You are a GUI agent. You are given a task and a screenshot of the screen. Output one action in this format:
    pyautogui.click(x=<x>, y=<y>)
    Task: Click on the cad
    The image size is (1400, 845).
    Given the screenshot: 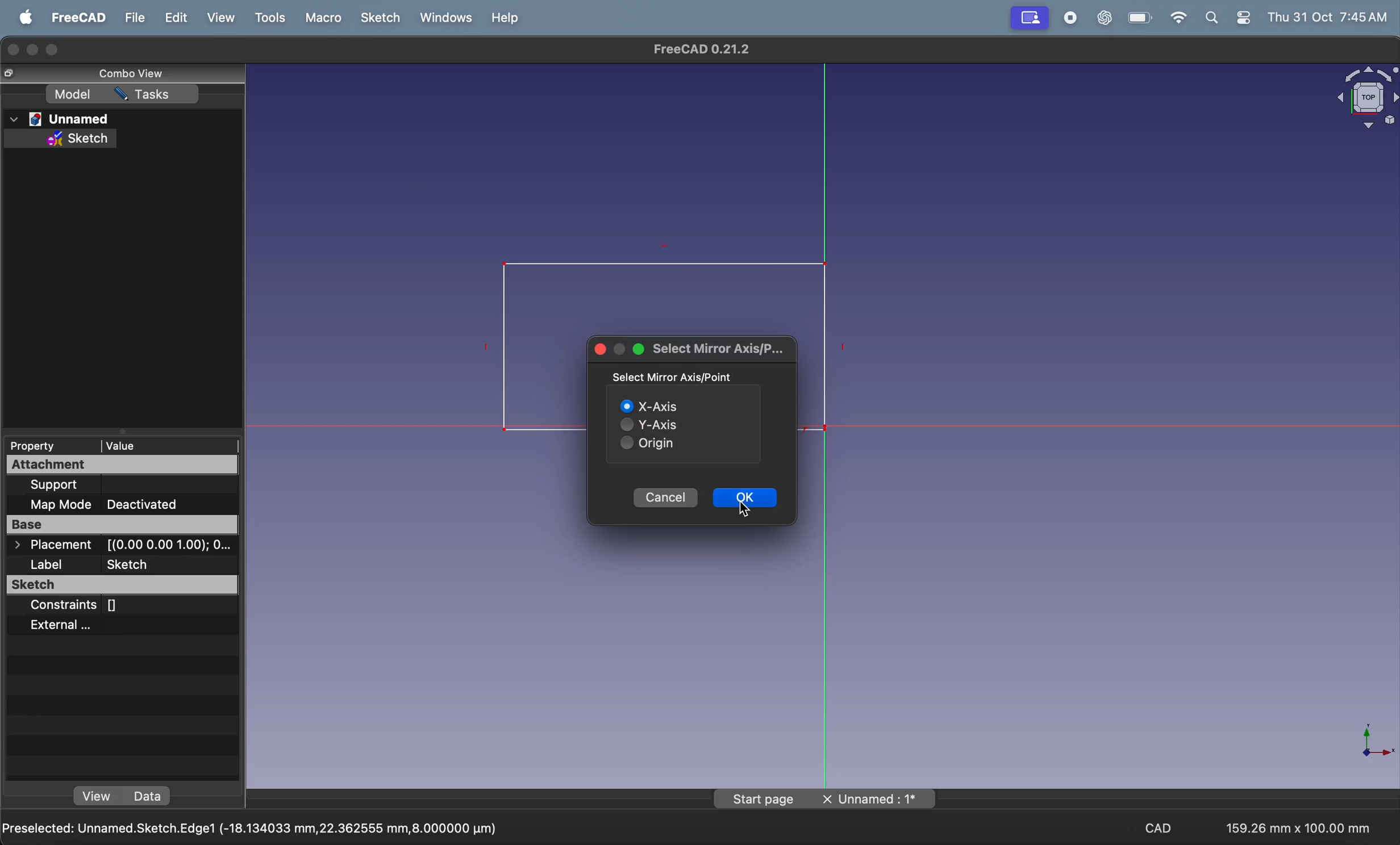 What is the action you would take?
    pyautogui.click(x=1153, y=825)
    